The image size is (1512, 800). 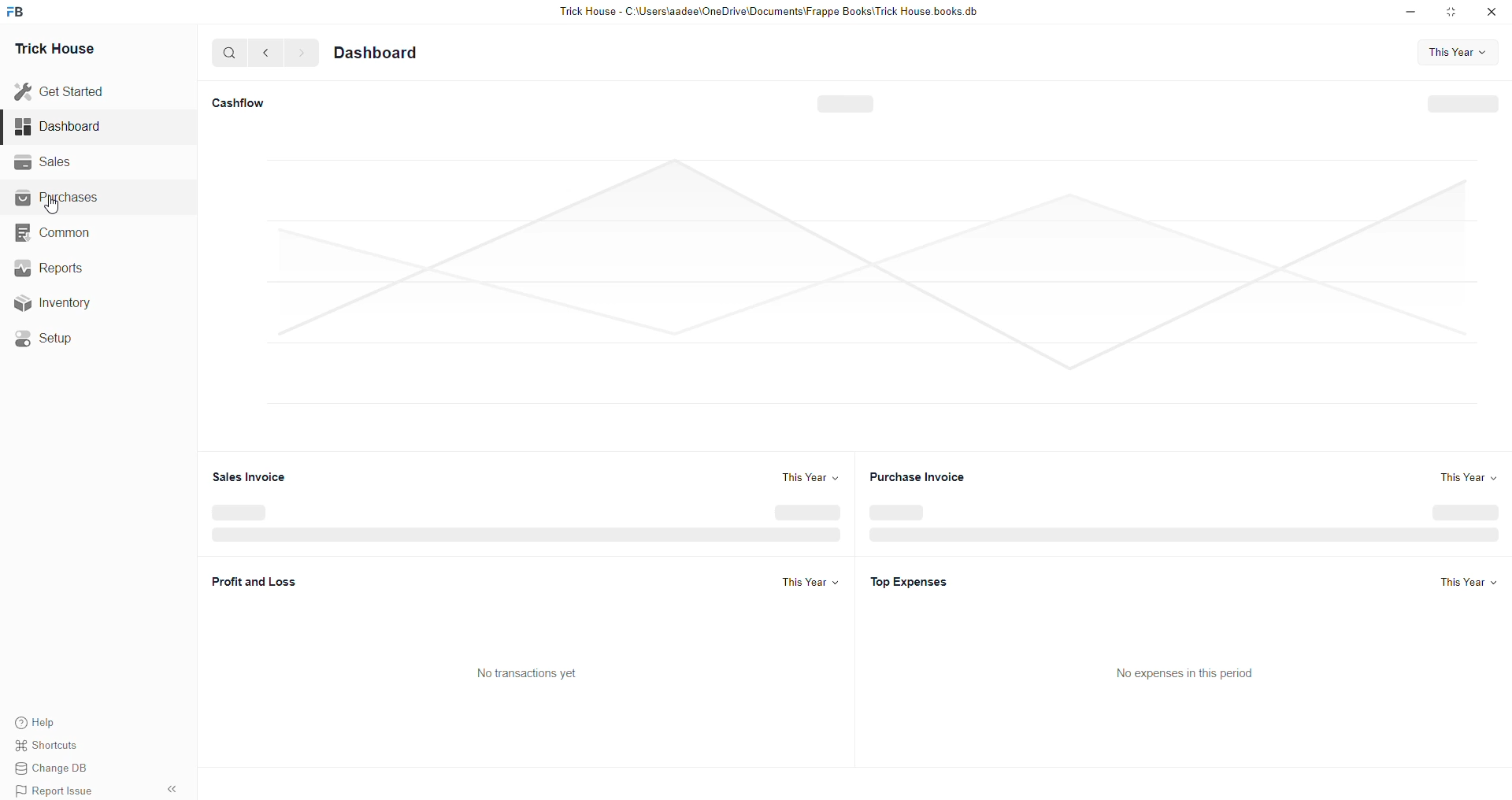 I want to click on minimise window, so click(x=1450, y=13).